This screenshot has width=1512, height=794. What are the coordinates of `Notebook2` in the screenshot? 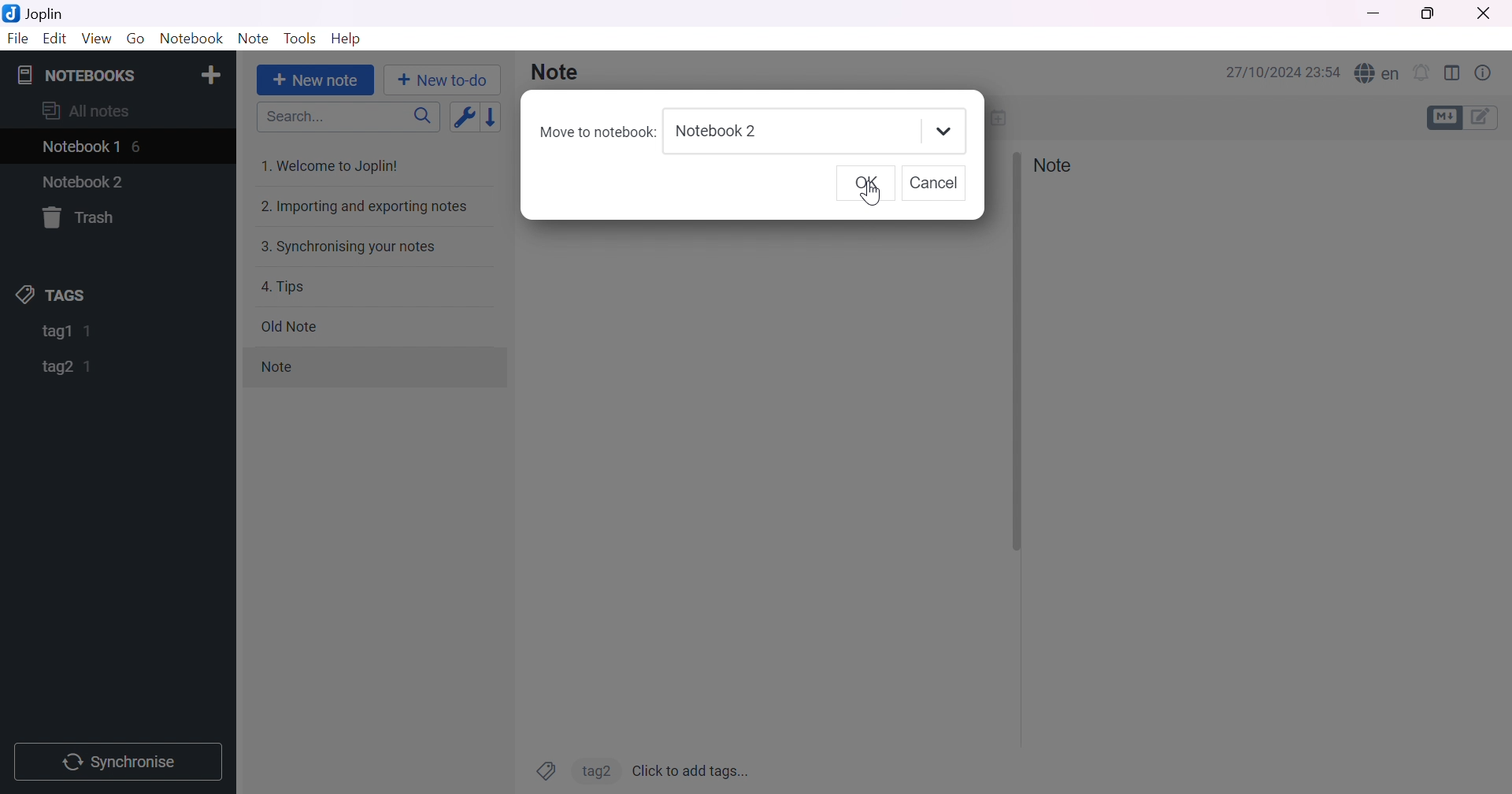 It's located at (83, 181).